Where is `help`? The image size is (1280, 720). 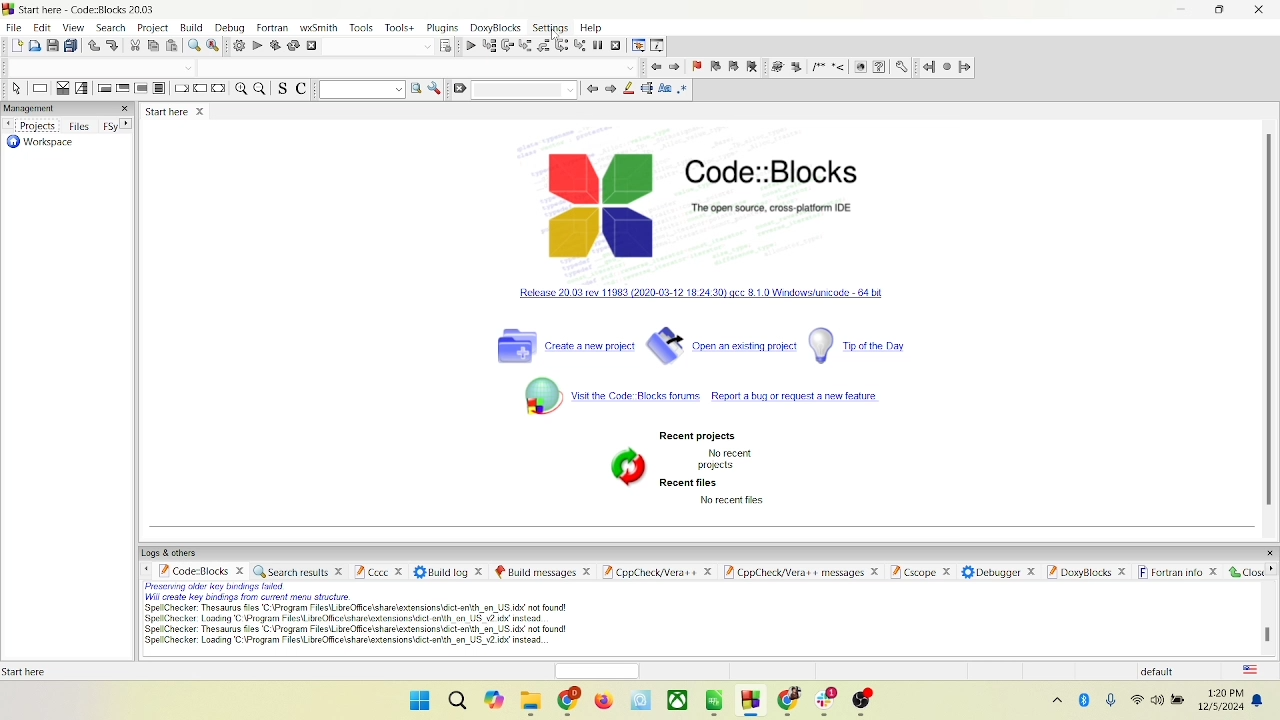 help is located at coordinates (879, 68).